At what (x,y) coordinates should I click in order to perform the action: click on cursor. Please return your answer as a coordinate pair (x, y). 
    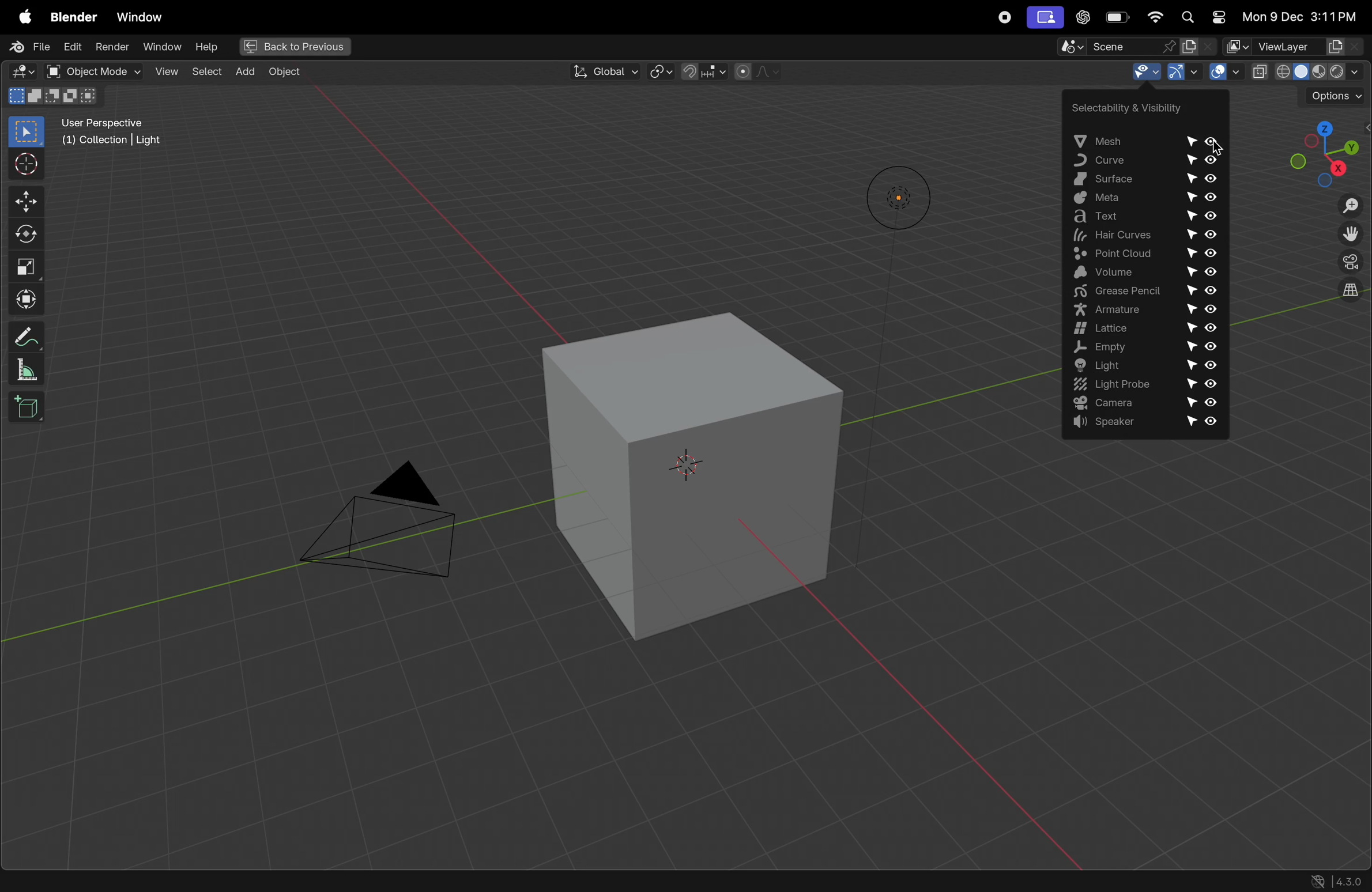
    Looking at the image, I should click on (1219, 146).